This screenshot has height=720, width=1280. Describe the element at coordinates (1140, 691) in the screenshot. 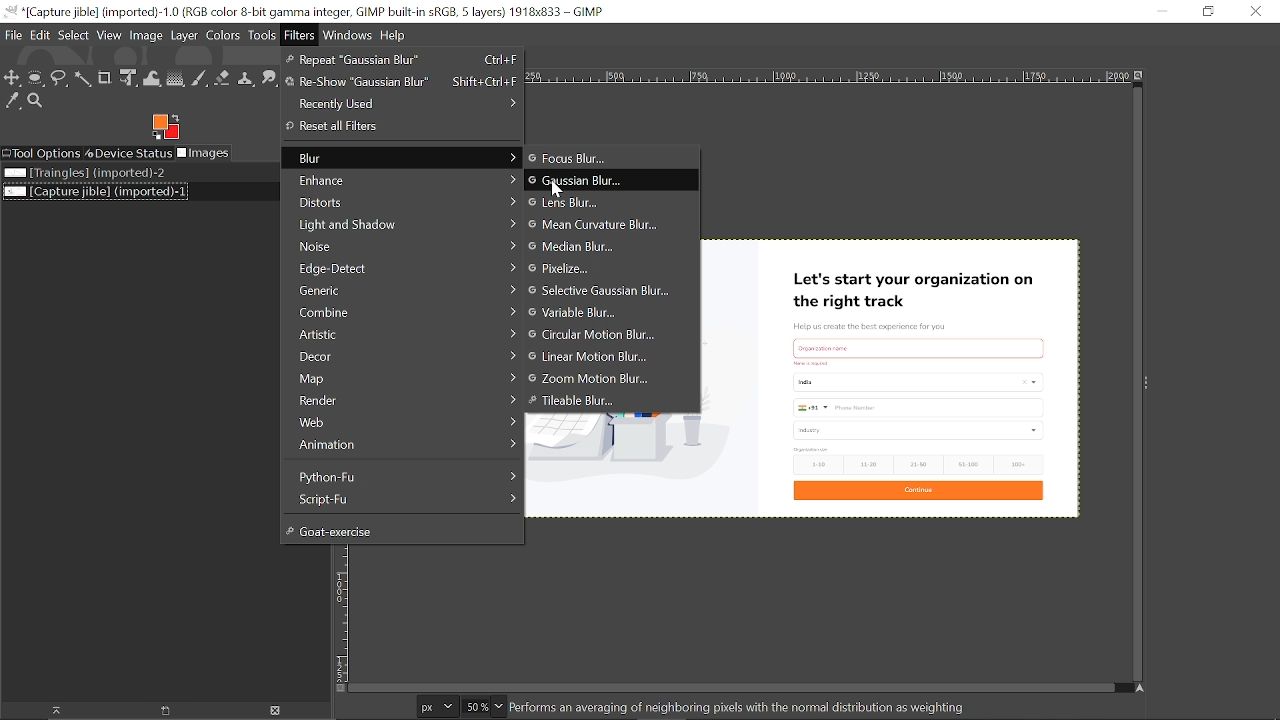

I see `Navigate the image display` at that location.